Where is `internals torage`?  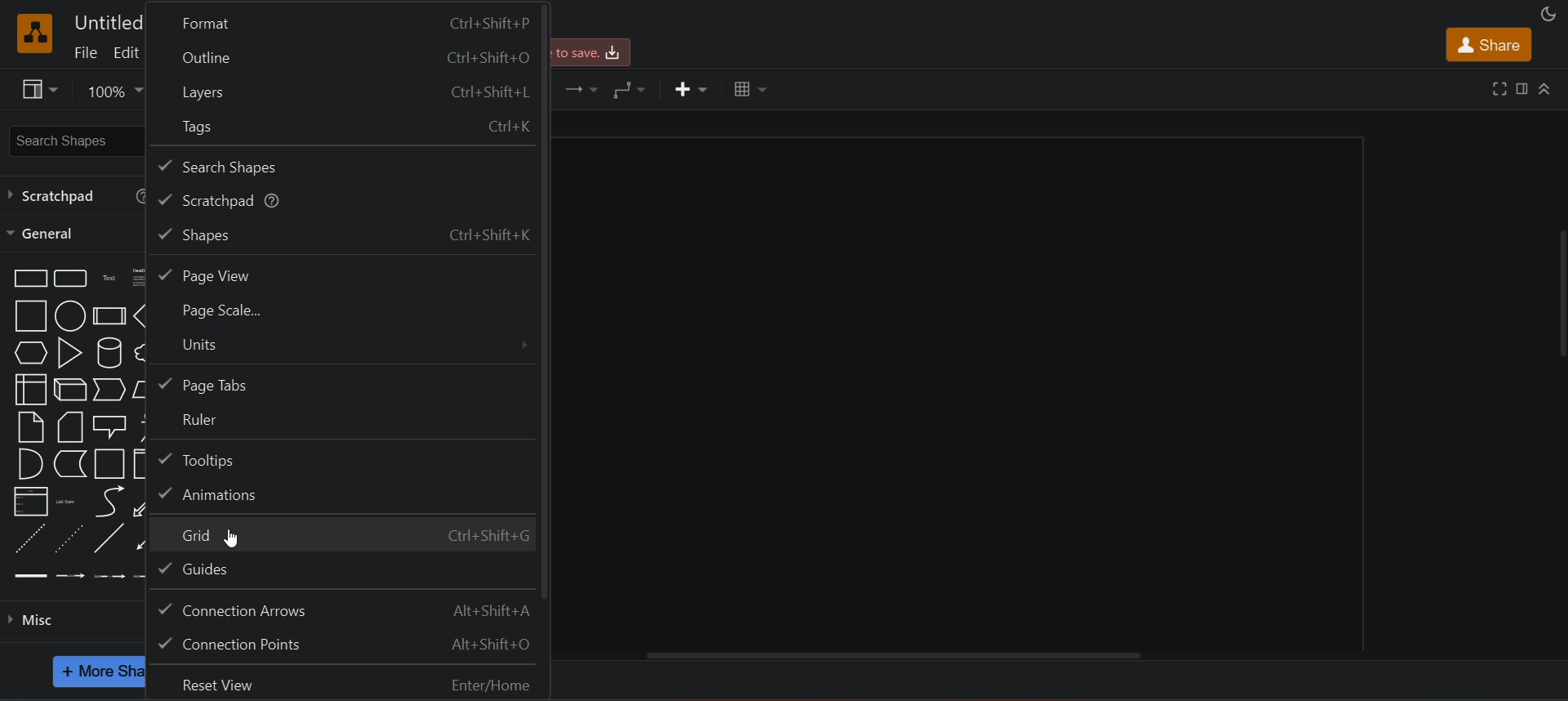
internals torage is located at coordinates (31, 388).